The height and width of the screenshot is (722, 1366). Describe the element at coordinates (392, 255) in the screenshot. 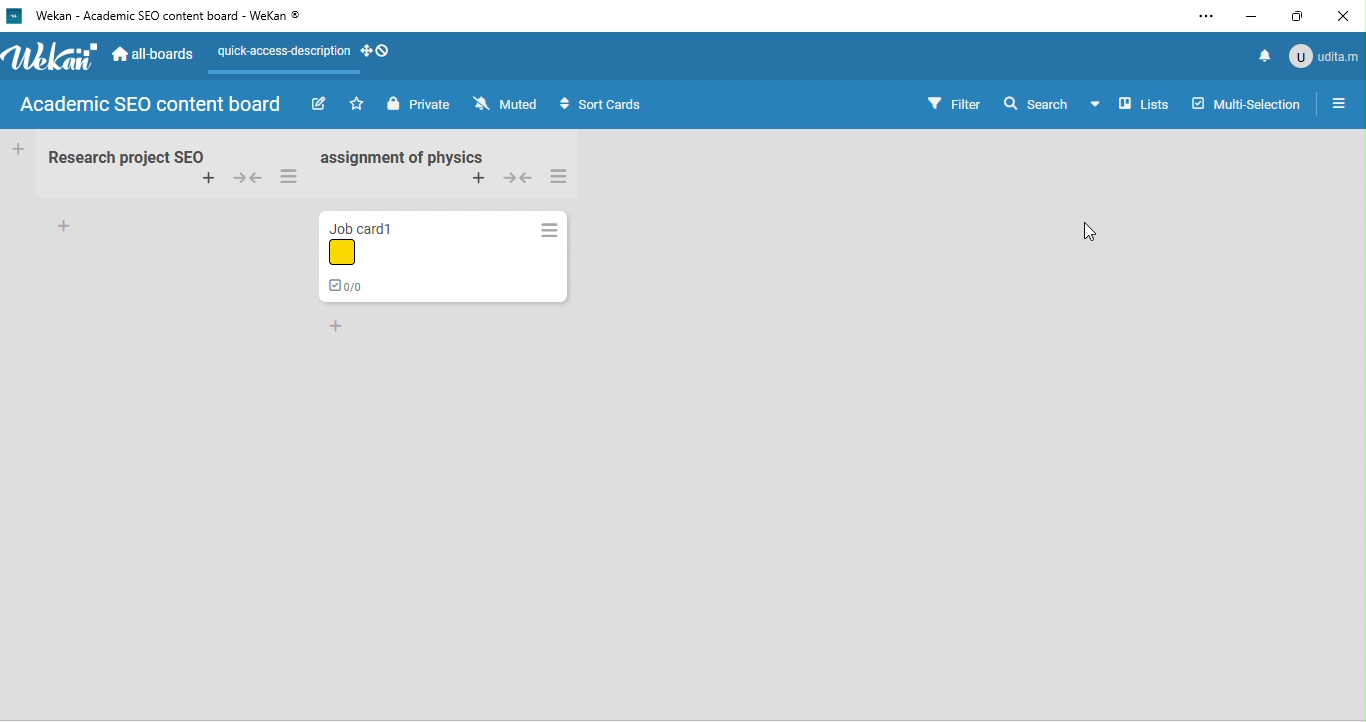

I see `job card 1` at that location.